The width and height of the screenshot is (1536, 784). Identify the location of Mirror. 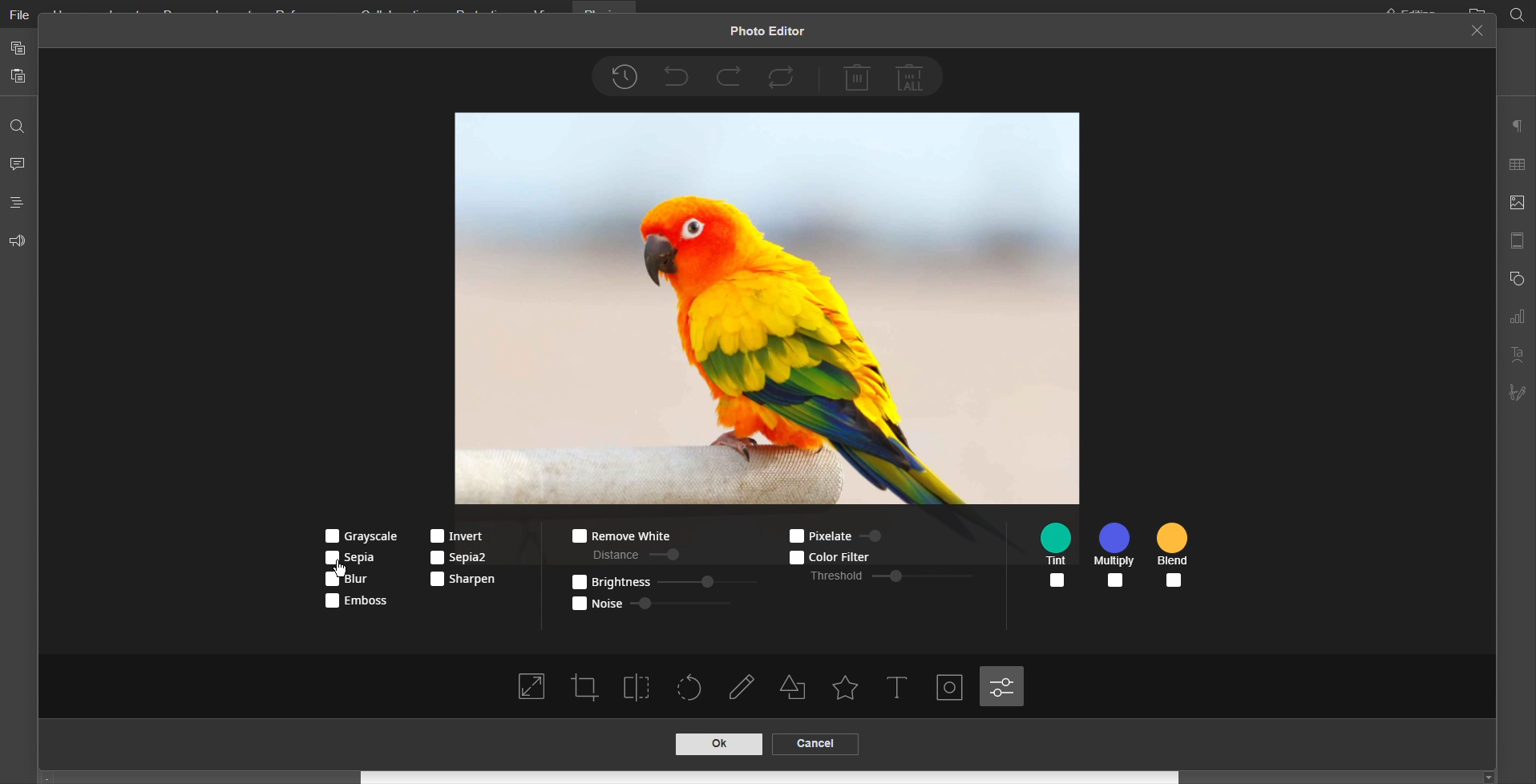
(638, 686).